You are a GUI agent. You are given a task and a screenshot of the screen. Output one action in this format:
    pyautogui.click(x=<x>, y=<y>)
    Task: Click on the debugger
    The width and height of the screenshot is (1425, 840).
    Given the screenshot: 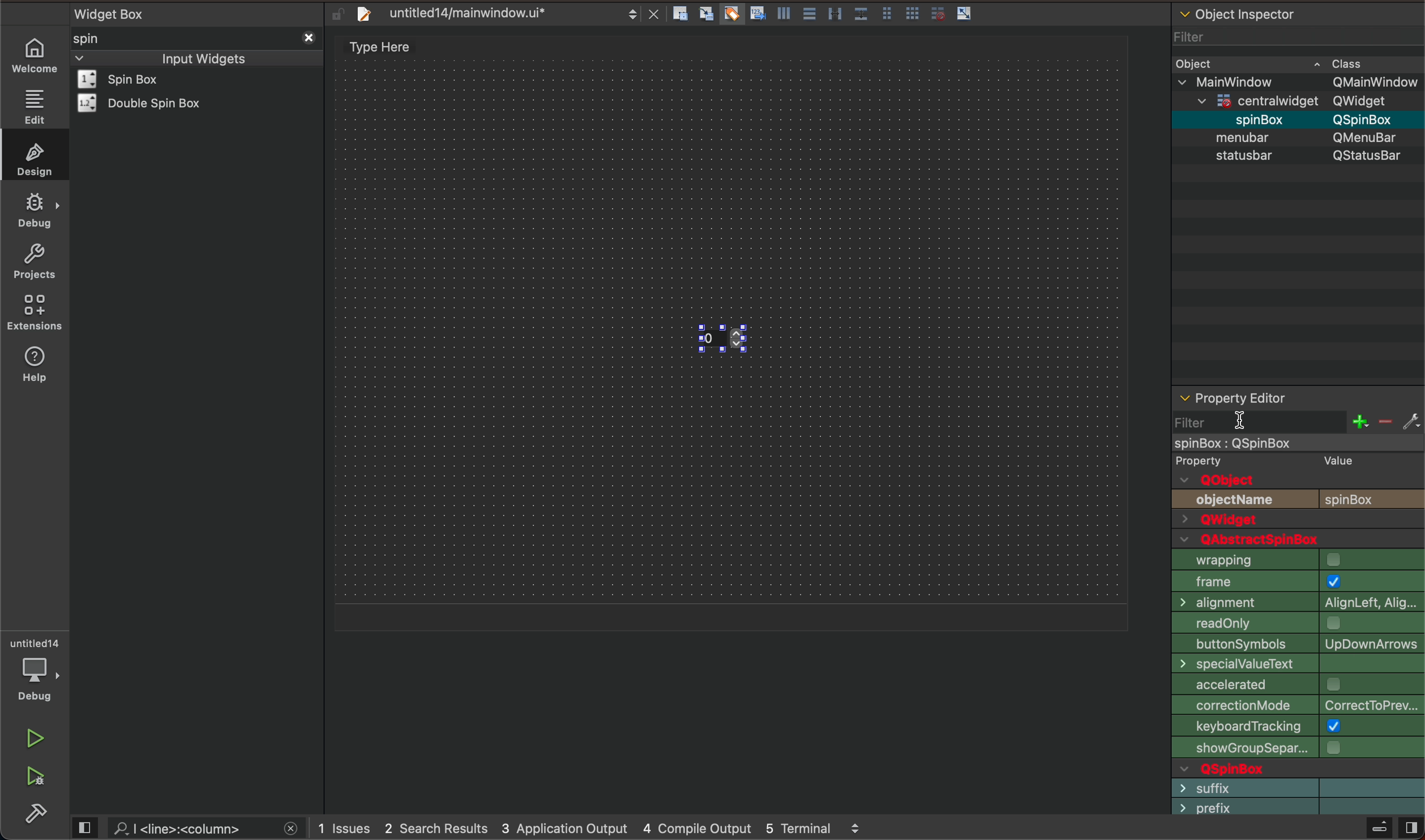 What is the action you would take?
    pyautogui.click(x=37, y=670)
    